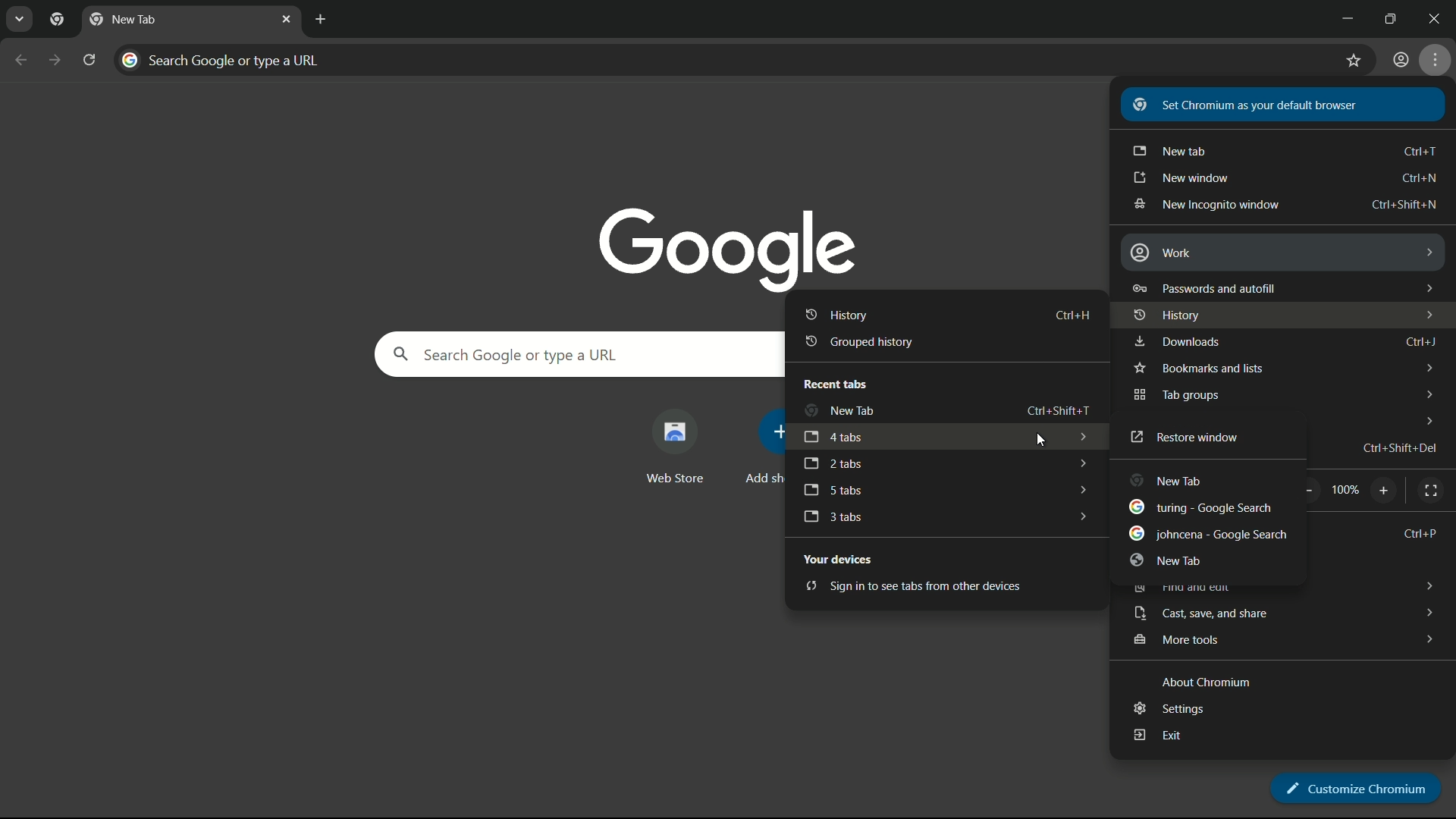  I want to click on new tab, so click(1172, 152).